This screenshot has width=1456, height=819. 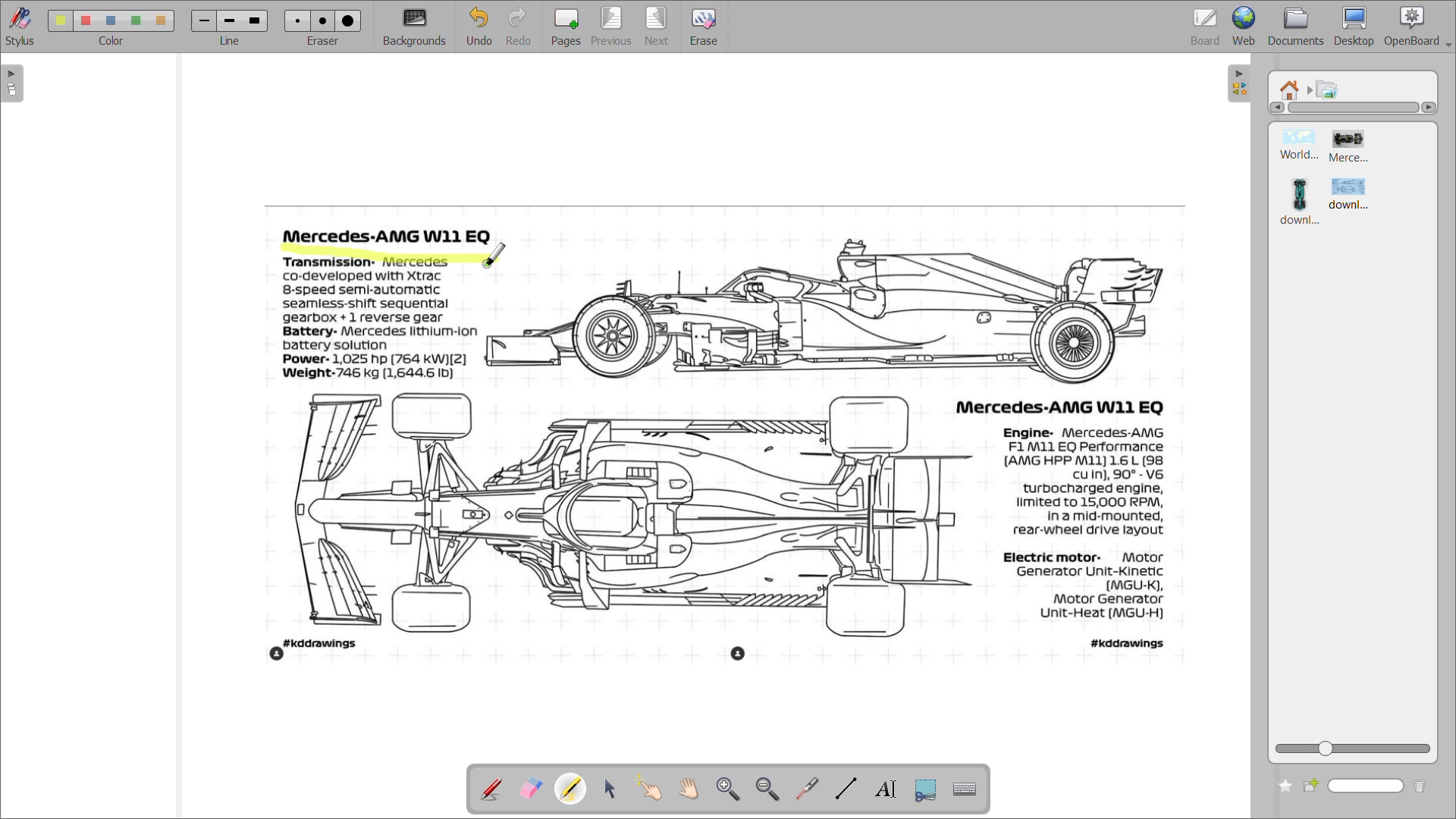 I want to click on board, so click(x=1205, y=27).